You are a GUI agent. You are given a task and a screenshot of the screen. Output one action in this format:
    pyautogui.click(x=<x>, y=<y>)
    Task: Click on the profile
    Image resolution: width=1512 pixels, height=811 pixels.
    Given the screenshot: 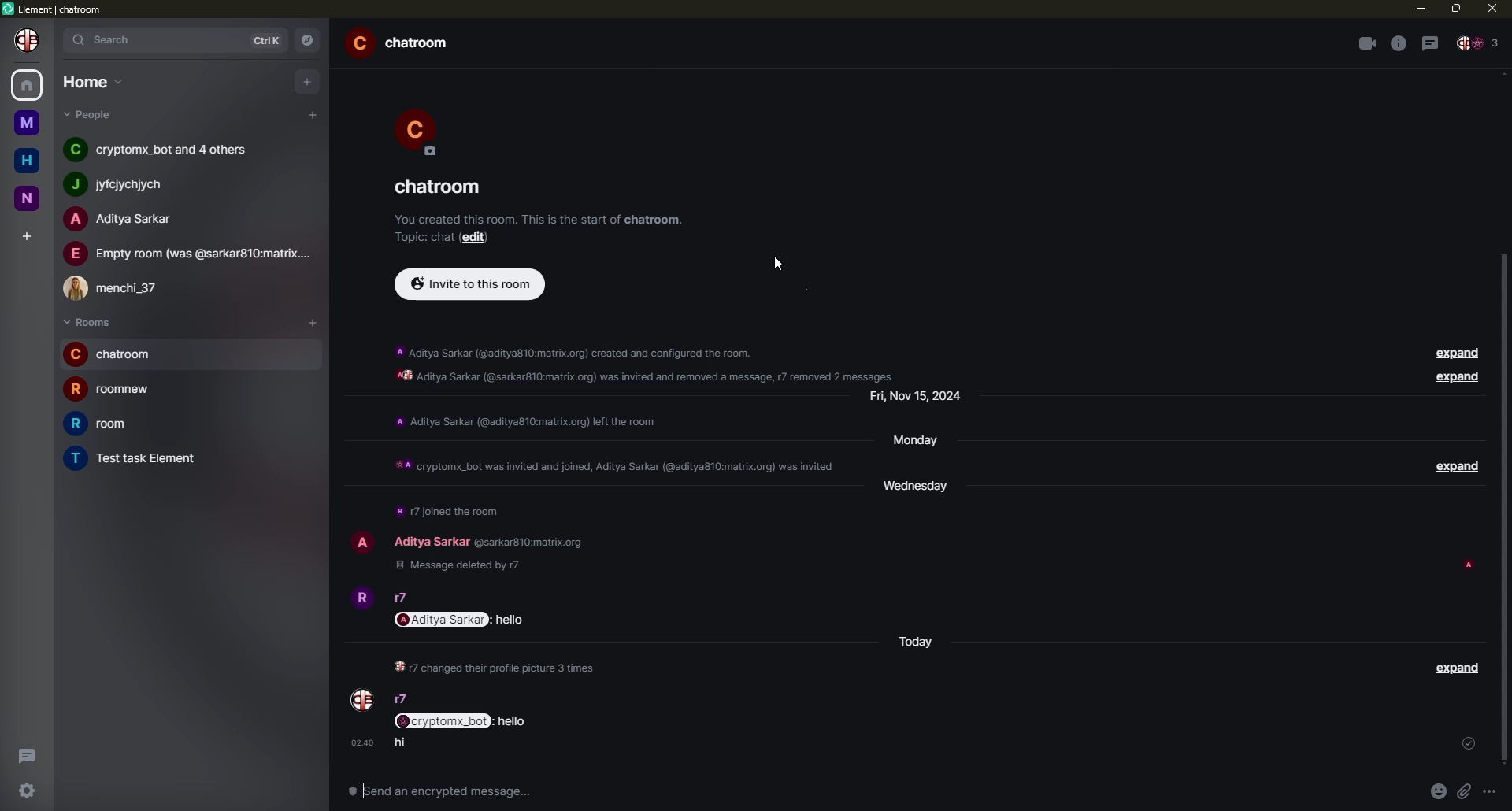 What is the action you would take?
    pyautogui.click(x=26, y=41)
    